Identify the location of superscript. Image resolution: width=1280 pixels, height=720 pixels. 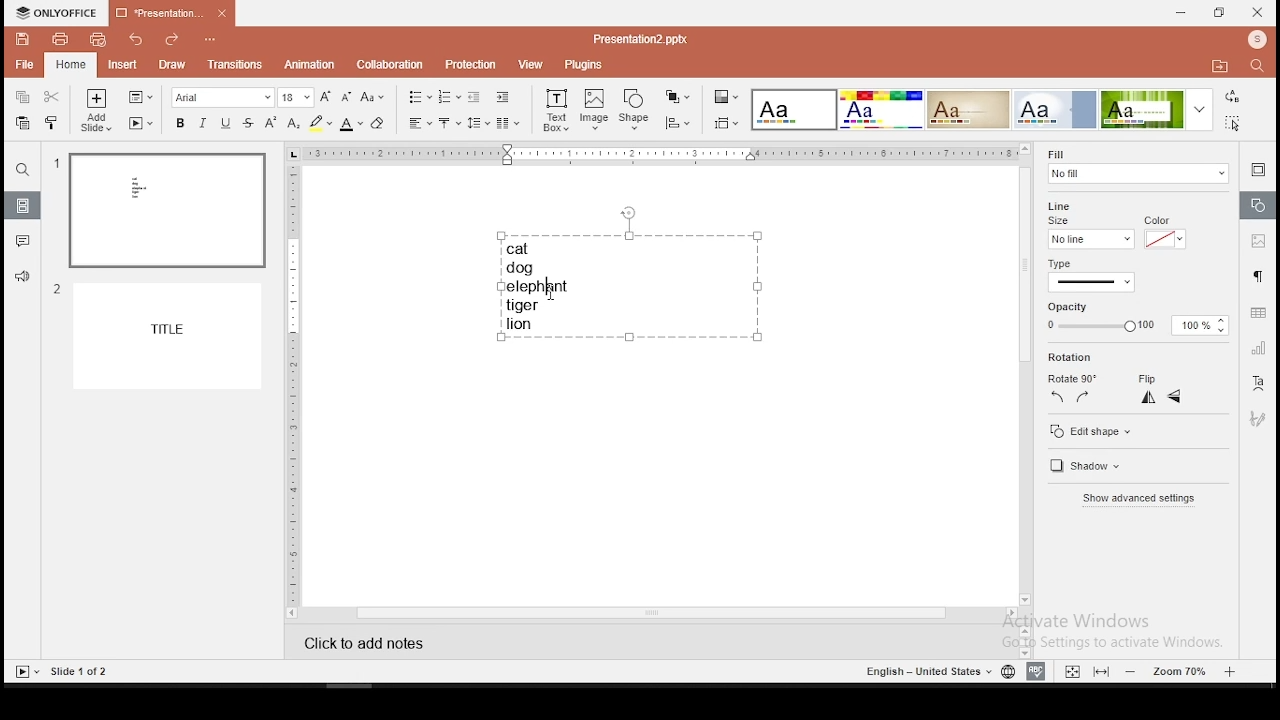
(266, 122).